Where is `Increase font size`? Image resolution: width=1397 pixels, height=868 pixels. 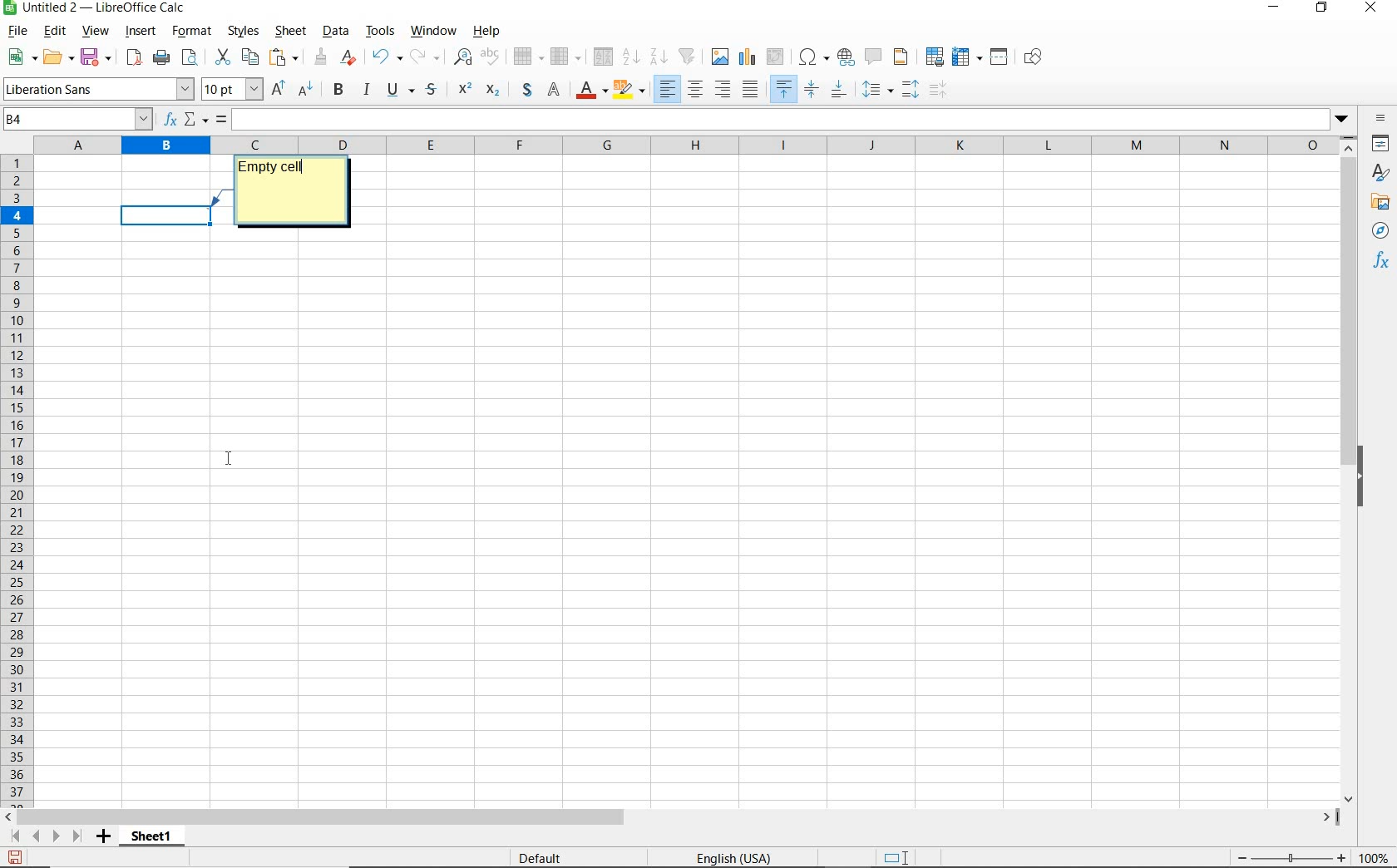 Increase font size is located at coordinates (279, 89).